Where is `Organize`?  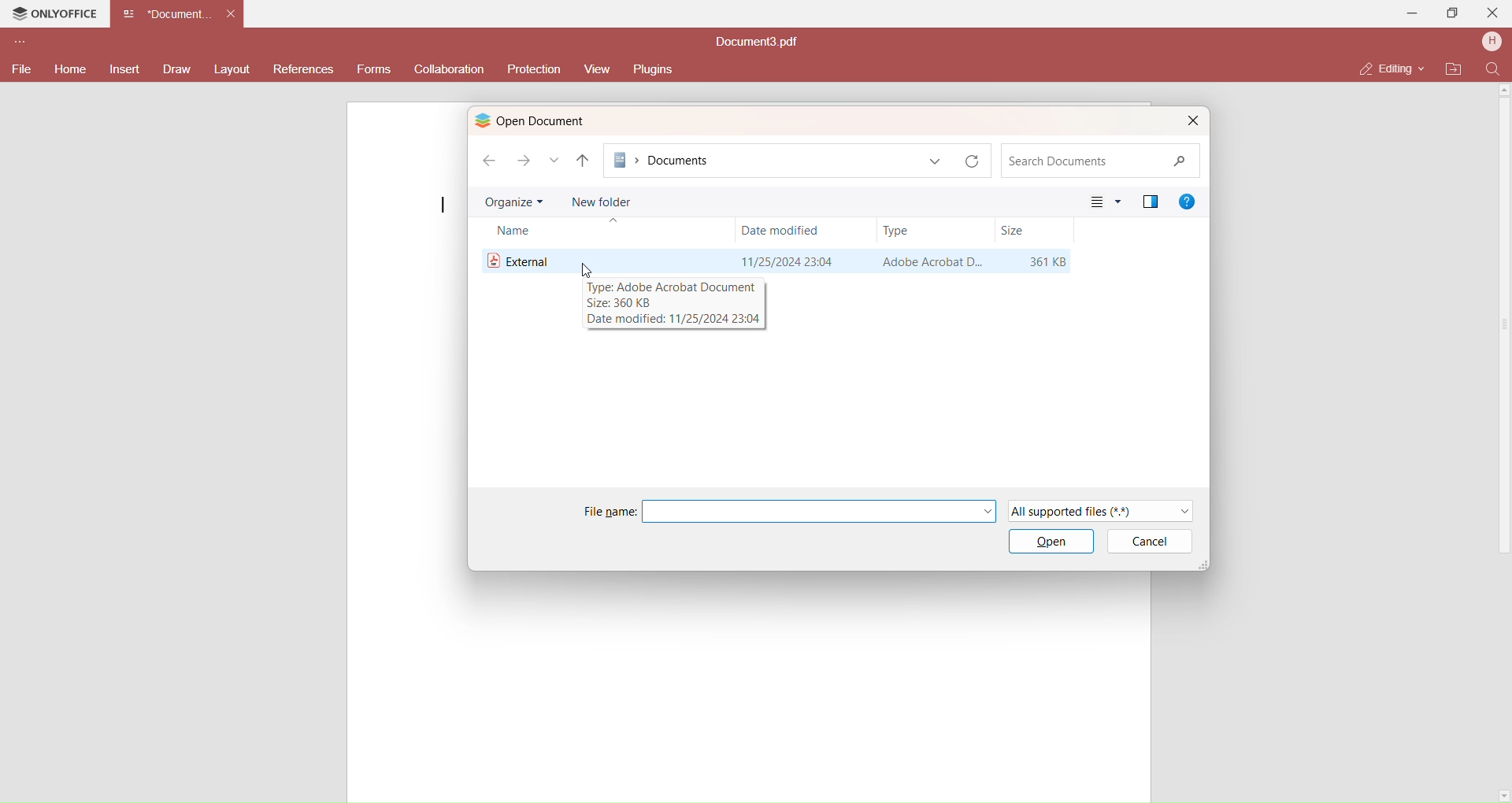 Organize is located at coordinates (513, 202).